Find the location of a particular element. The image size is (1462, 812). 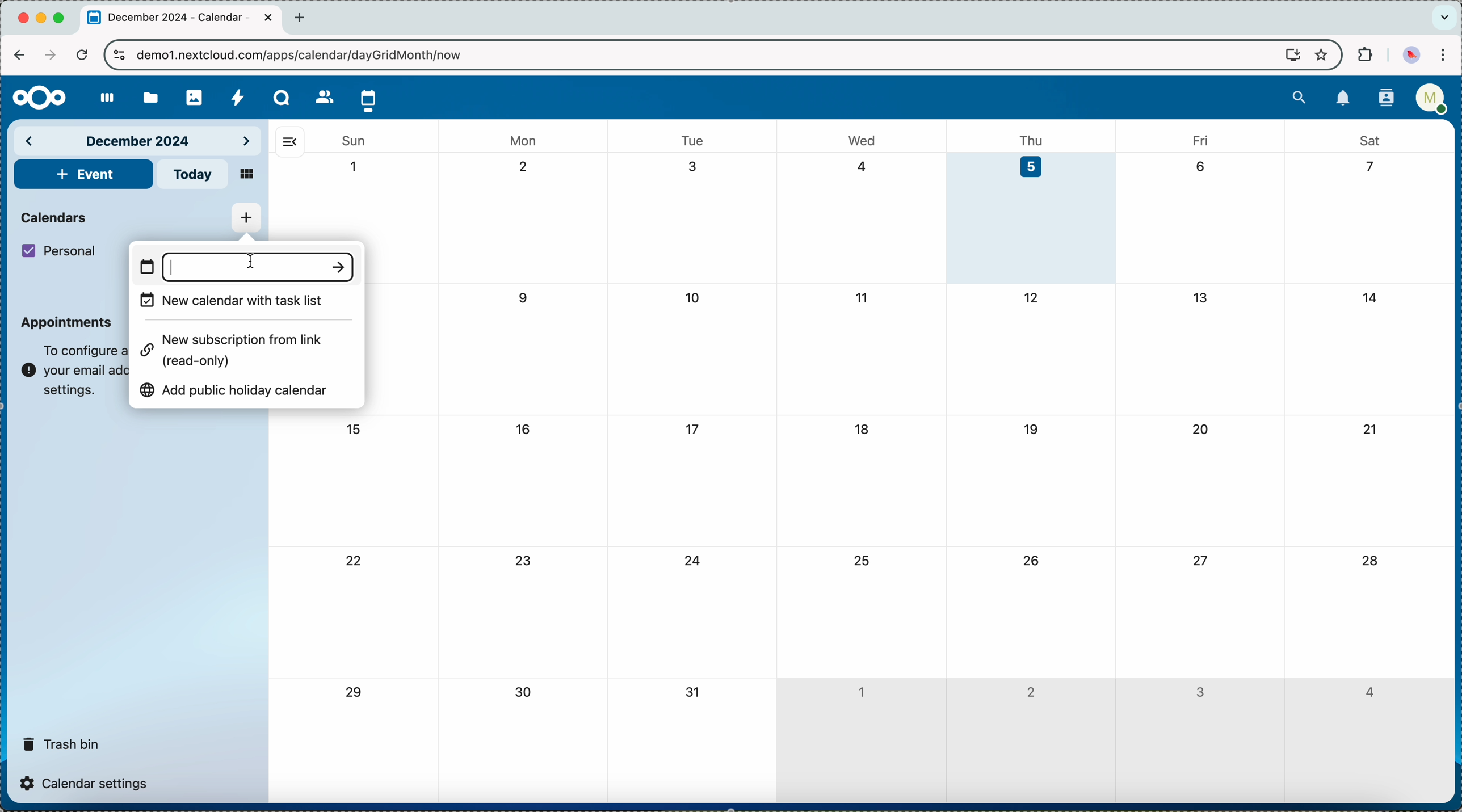

minimize is located at coordinates (43, 19).